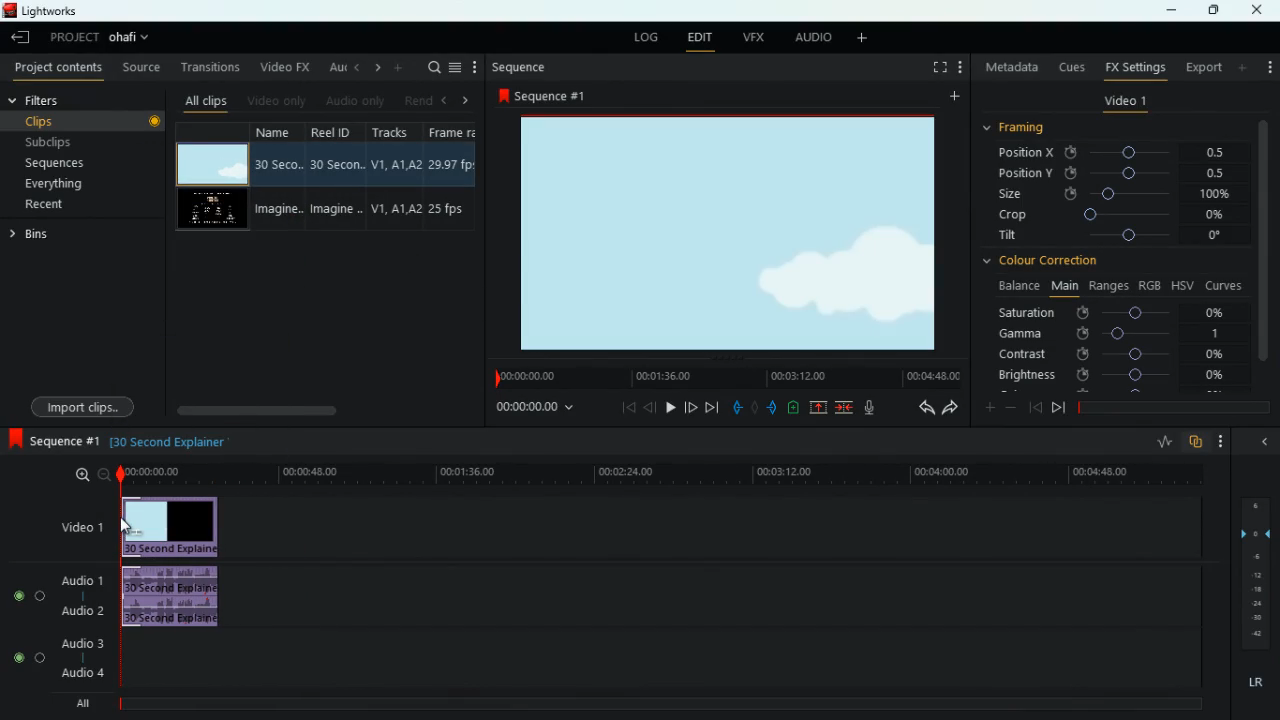 The width and height of the screenshot is (1280, 720). Describe the element at coordinates (87, 476) in the screenshot. I see `zoom` at that location.